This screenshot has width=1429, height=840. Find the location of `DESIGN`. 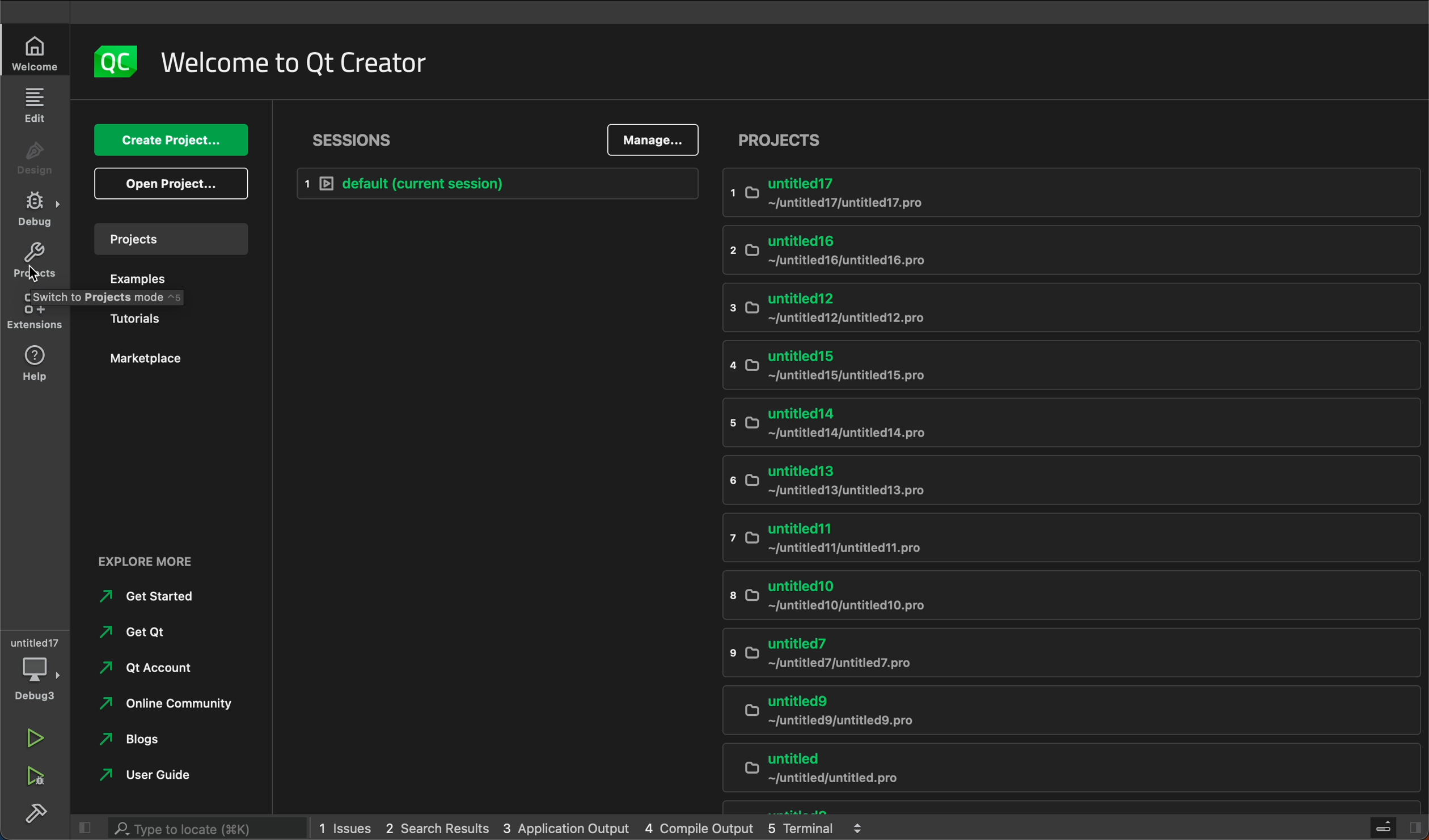

DESIGN is located at coordinates (33, 152).